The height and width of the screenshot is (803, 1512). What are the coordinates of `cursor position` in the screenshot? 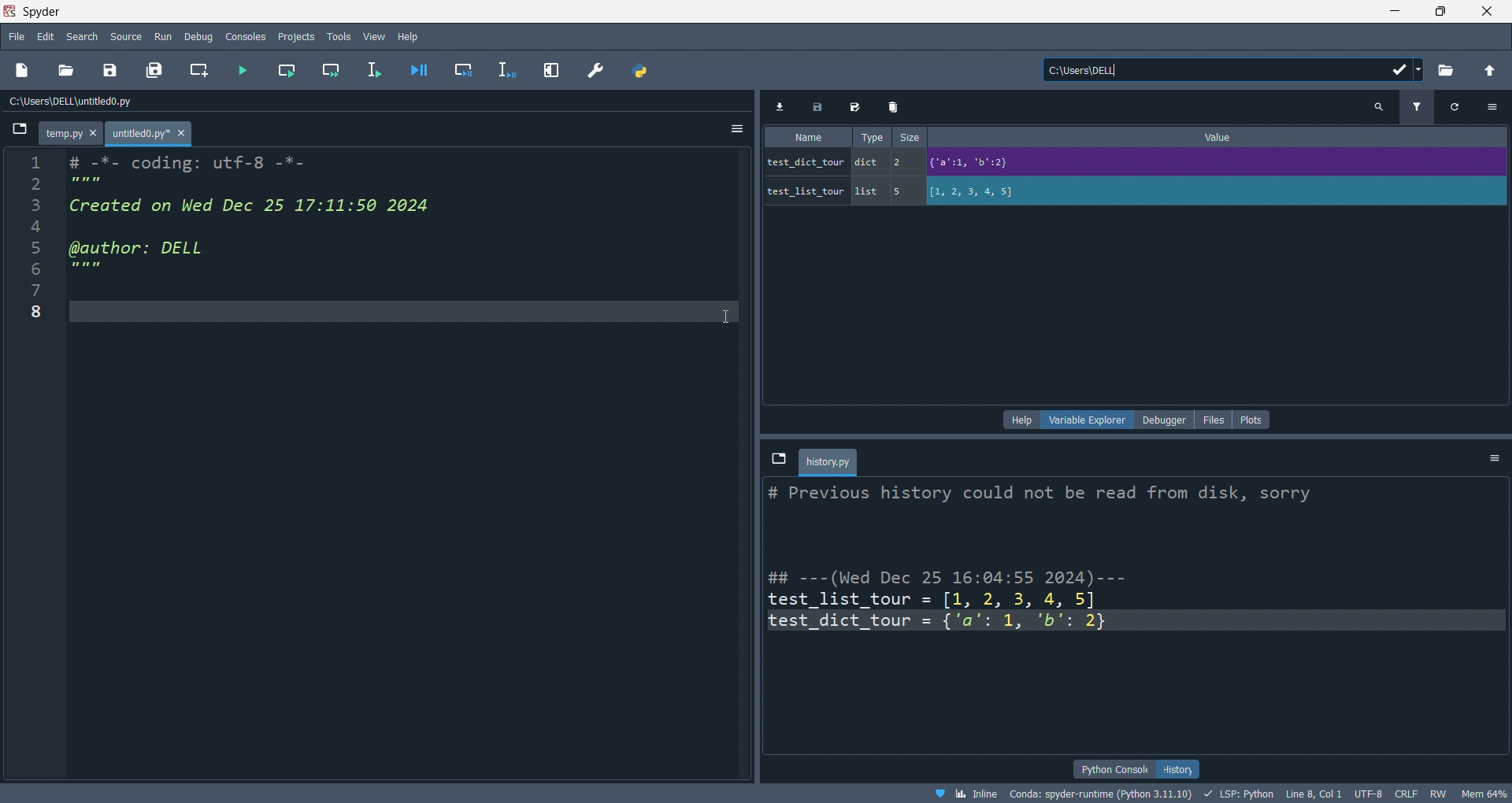 It's located at (1313, 794).